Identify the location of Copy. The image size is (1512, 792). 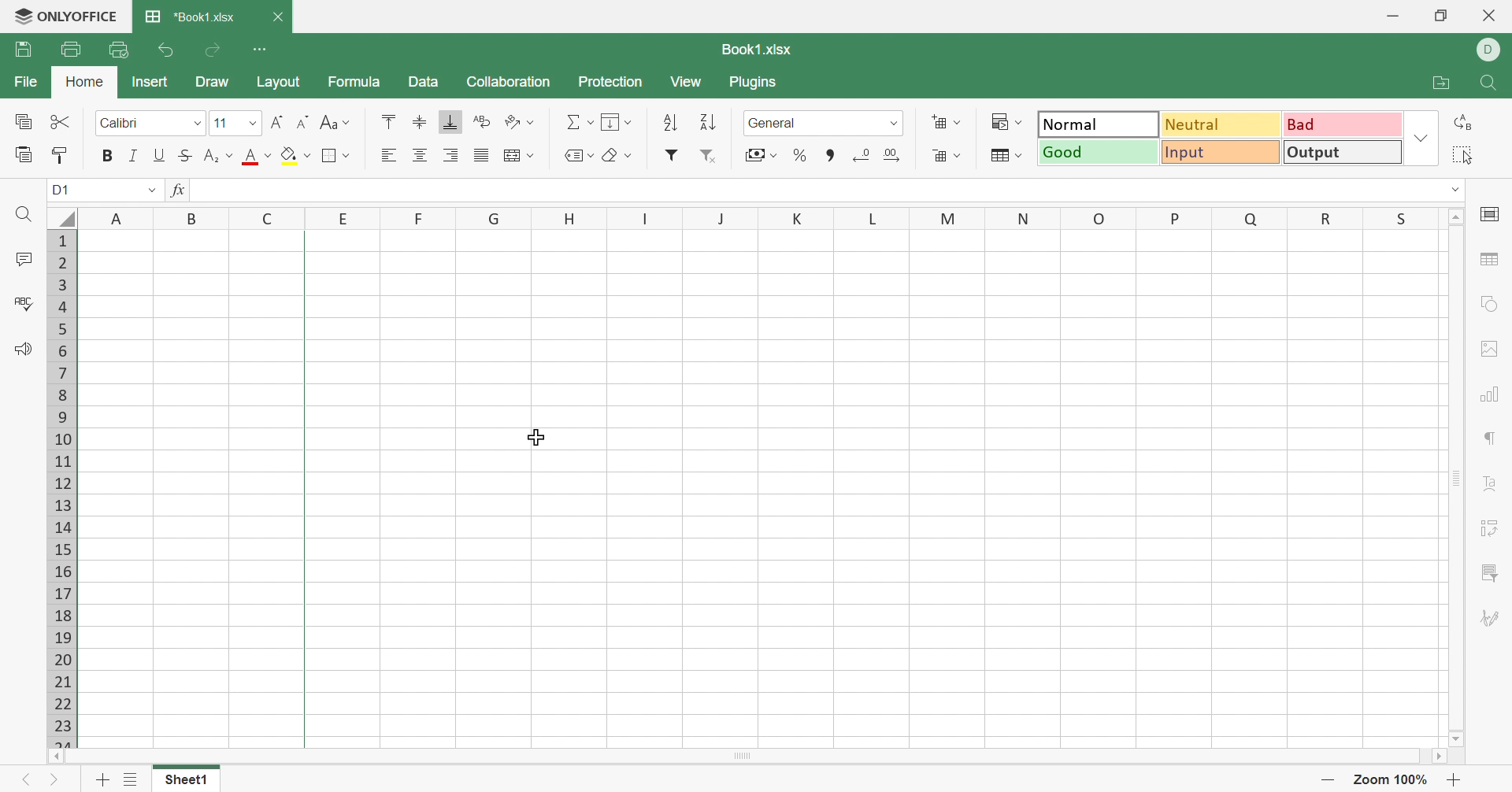
(24, 120).